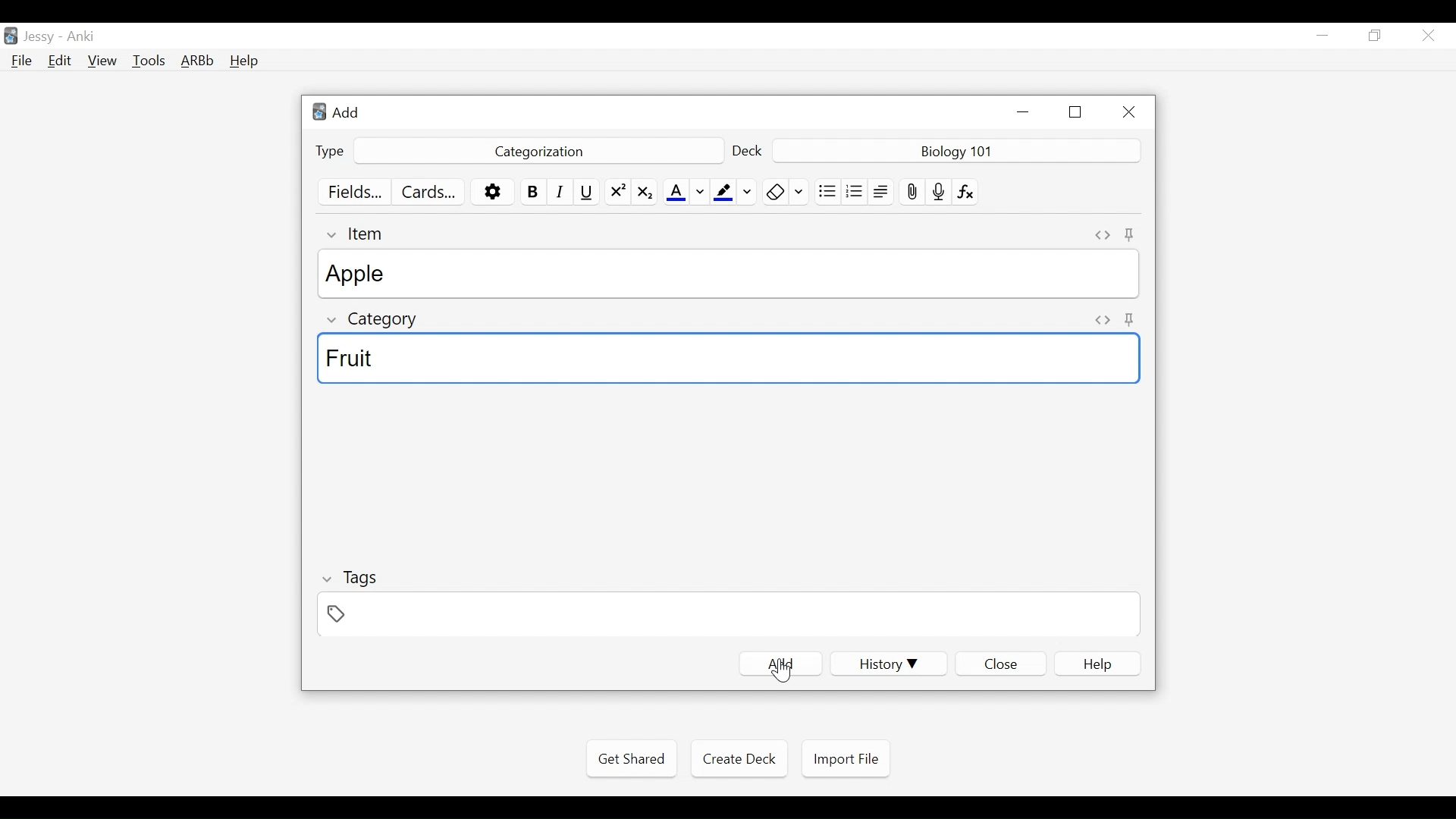 This screenshot has height=819, width=1456. What do you see at coordinates (730, 360) in the screenshot?
I see `Category Field` at bounding box center [730, 360].